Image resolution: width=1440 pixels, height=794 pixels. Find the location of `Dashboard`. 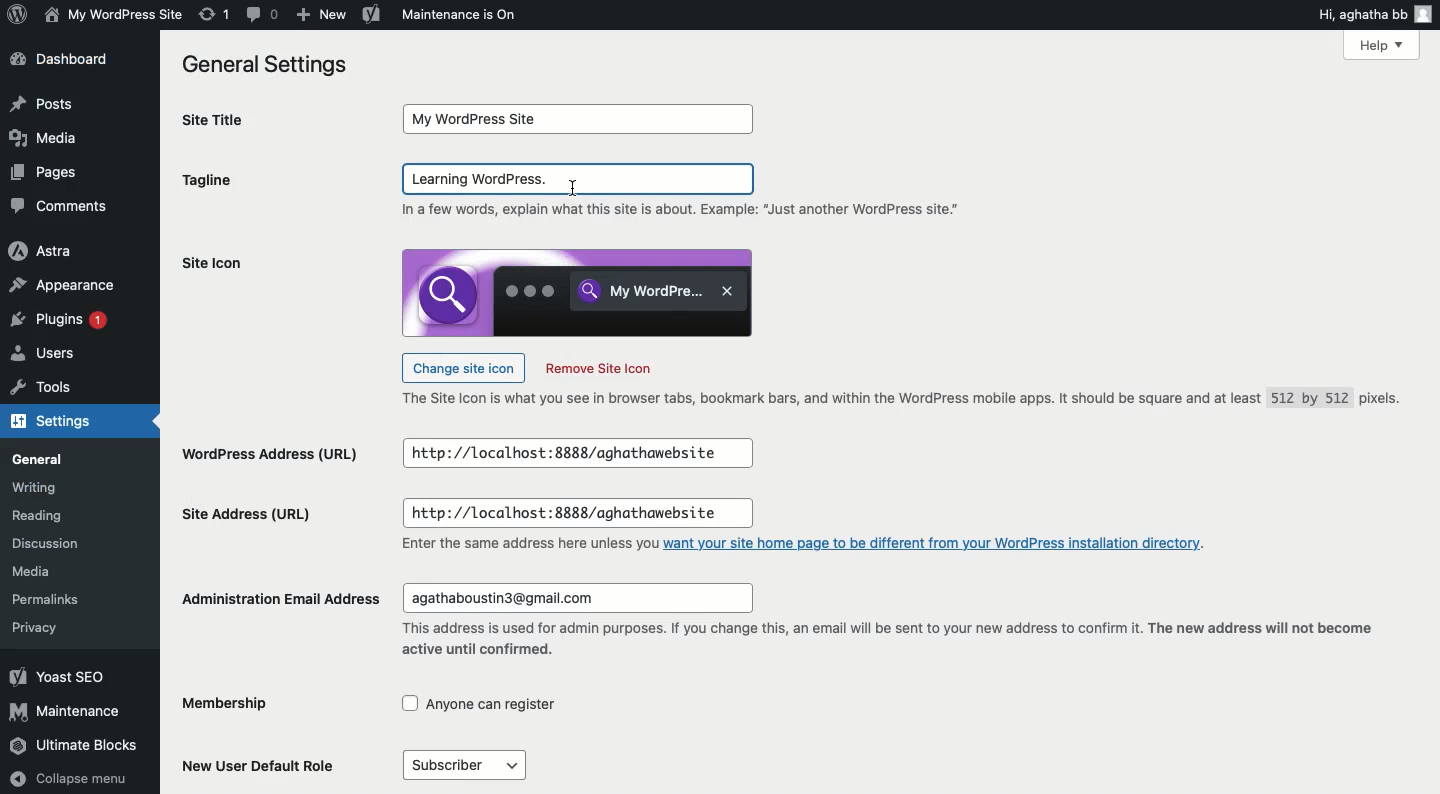

Dashboard is located at coordinates (67, 61).